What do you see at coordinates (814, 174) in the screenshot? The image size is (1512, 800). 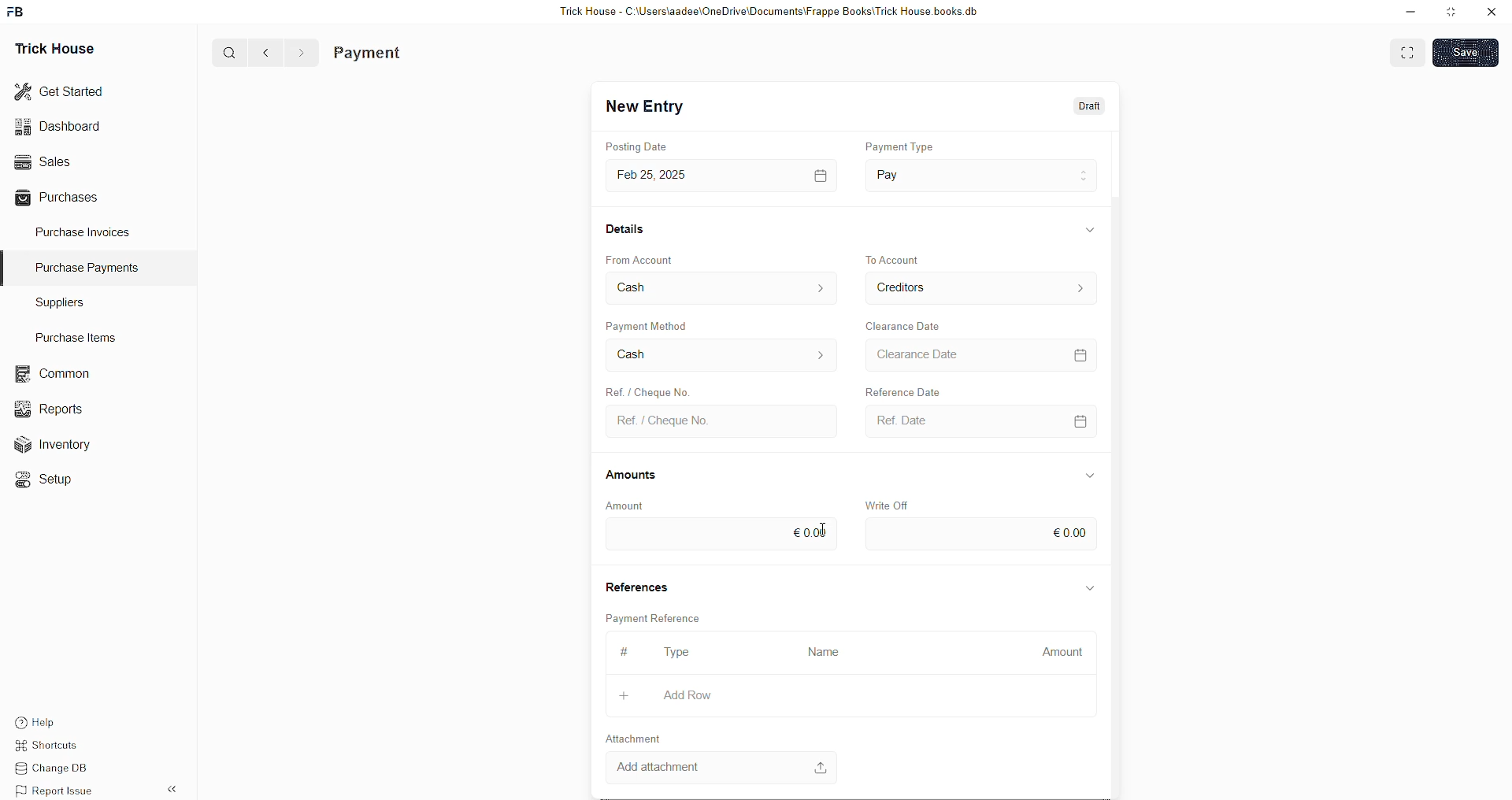 I see `calendar` at bounding box center [814, 174].